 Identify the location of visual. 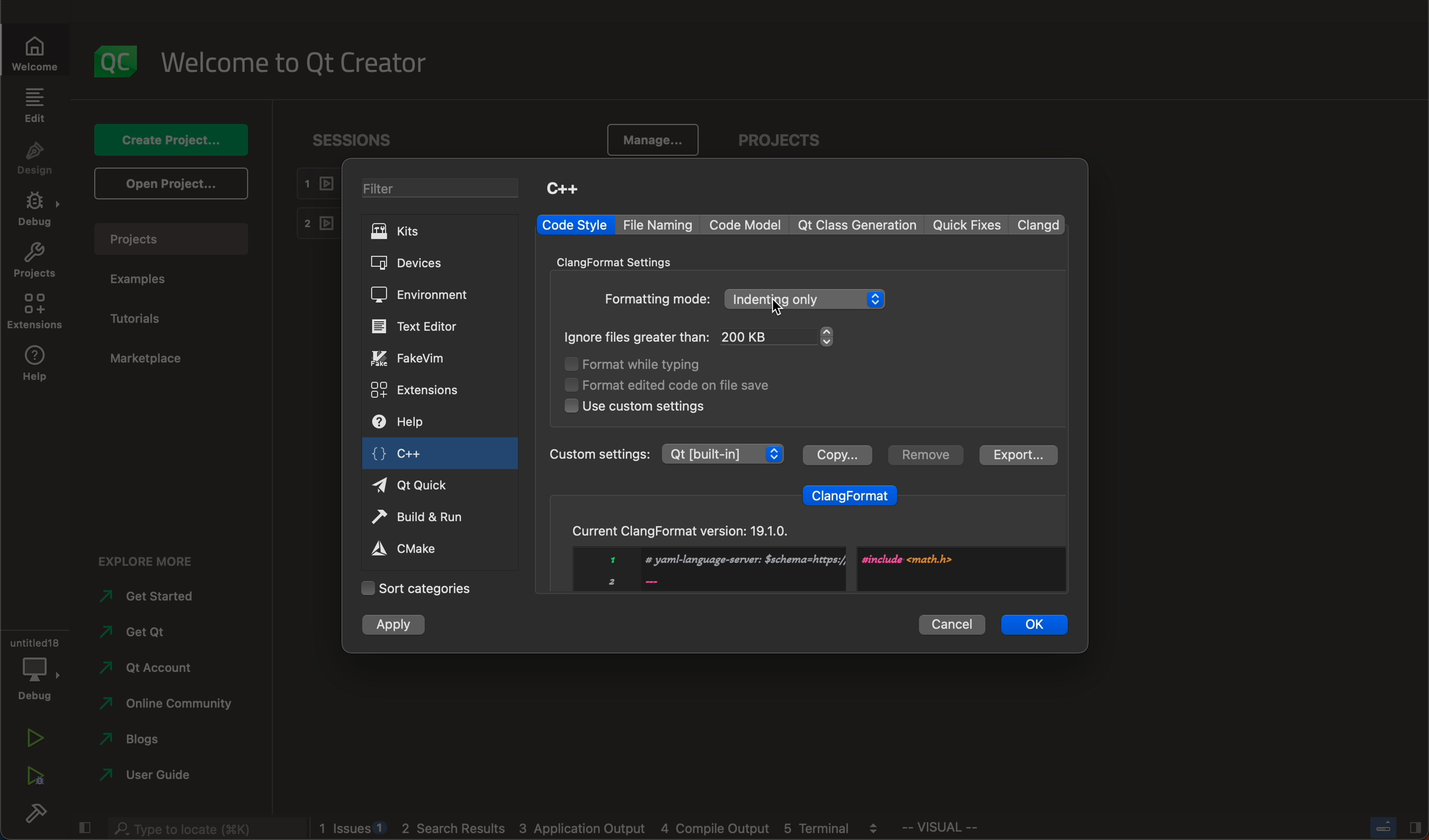
(969, 830).